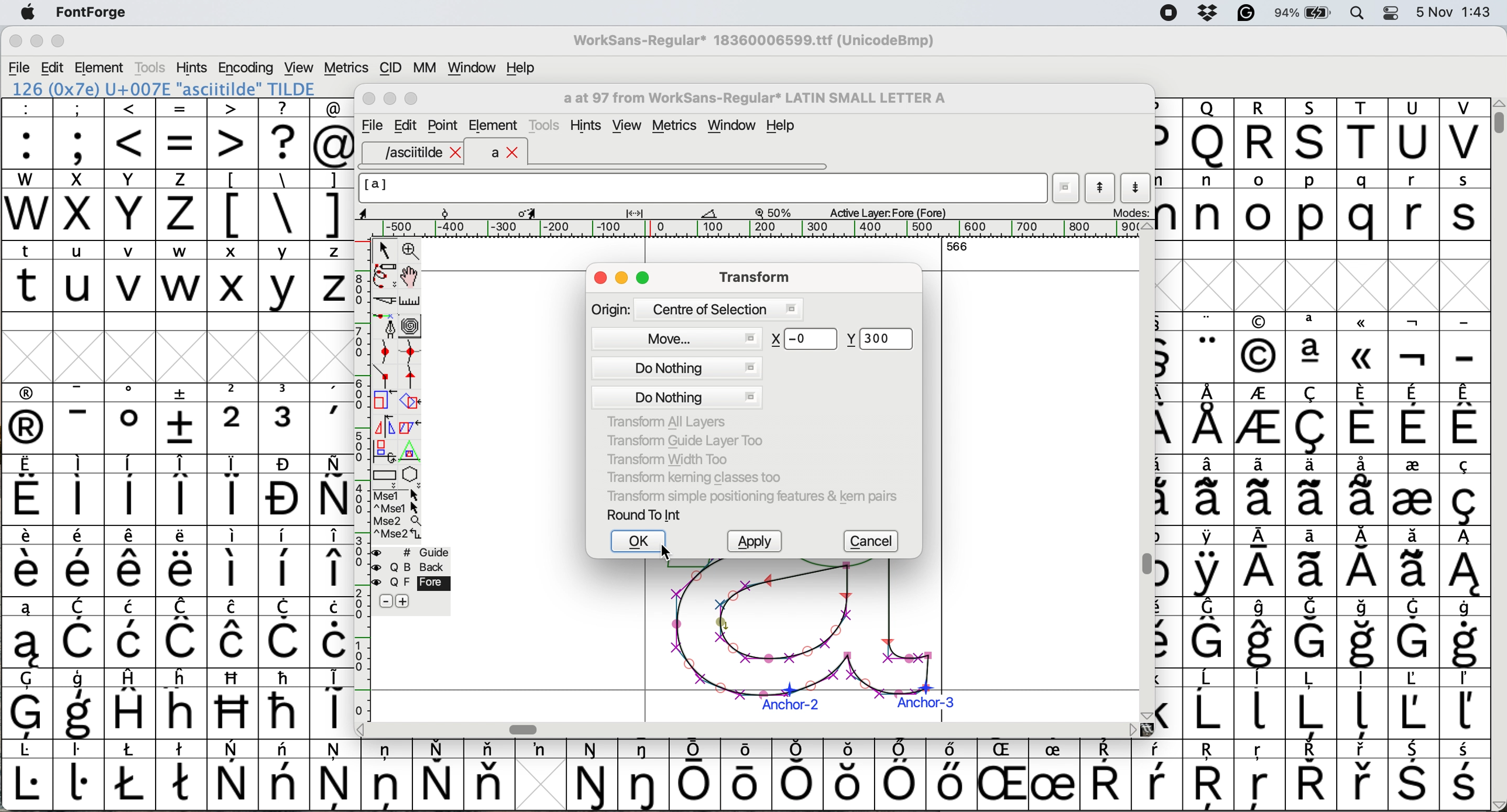  What do you see at coordinates (753, 98) in the screenshot?
I see `glyph name` at bounding box center [753, 98].